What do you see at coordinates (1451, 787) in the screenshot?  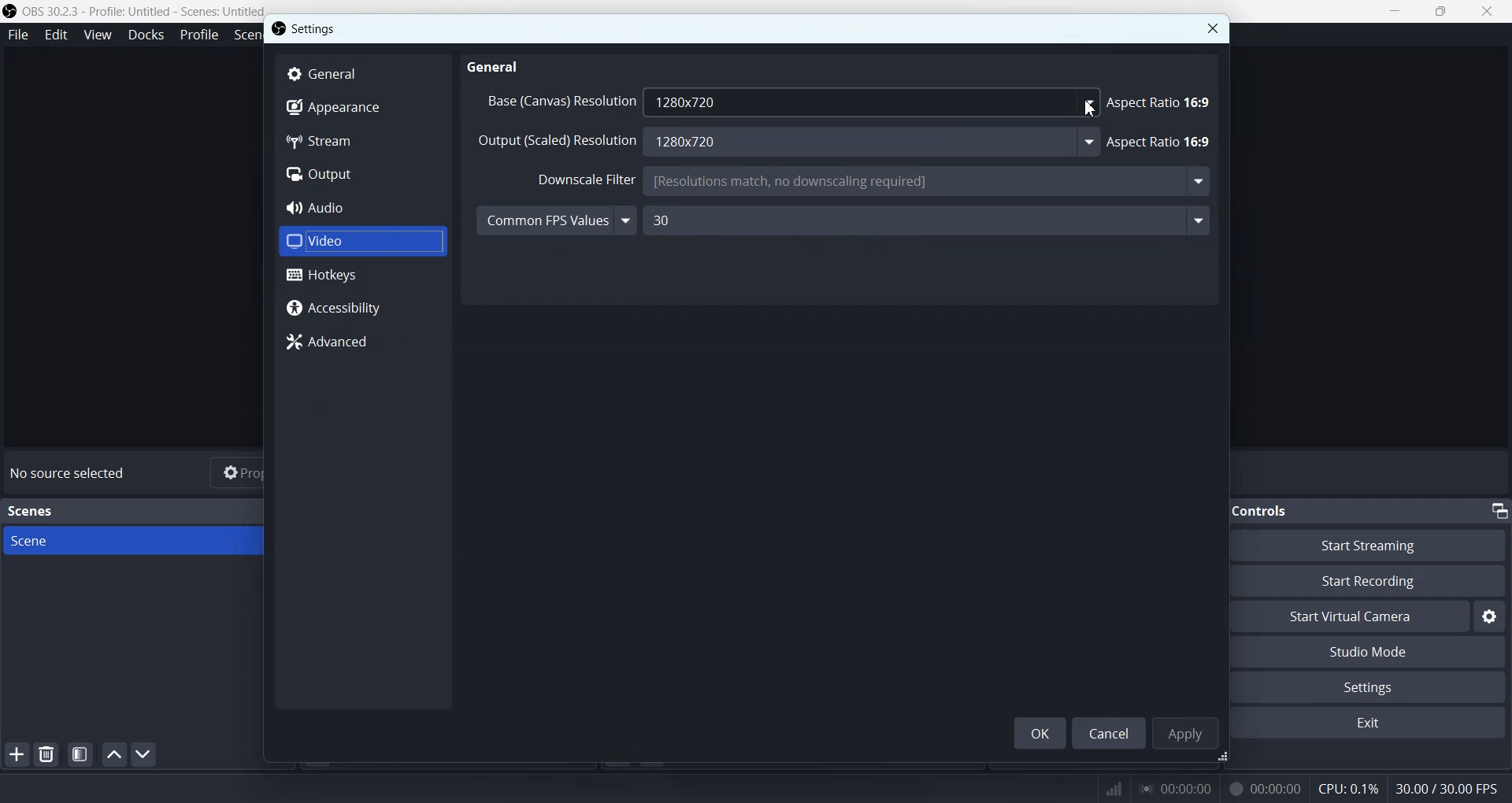 I see `Text` at bounding box center [1451, 787].